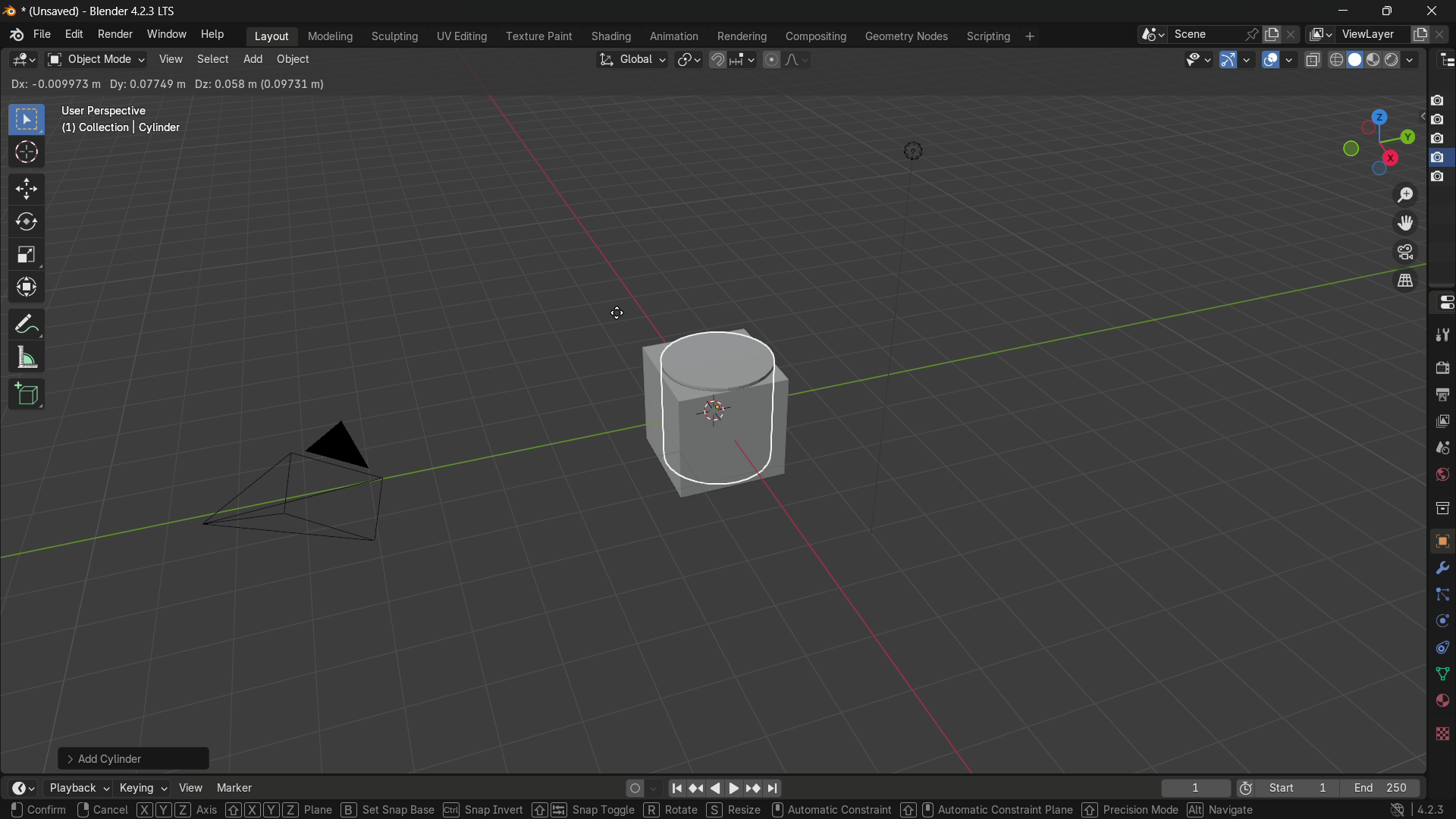 Image resolution: width=1456 pixels, height=819 pixels. Describe the element at coordinates (750, 788) in the screenshot. I see `jump to keyframe` at that location.